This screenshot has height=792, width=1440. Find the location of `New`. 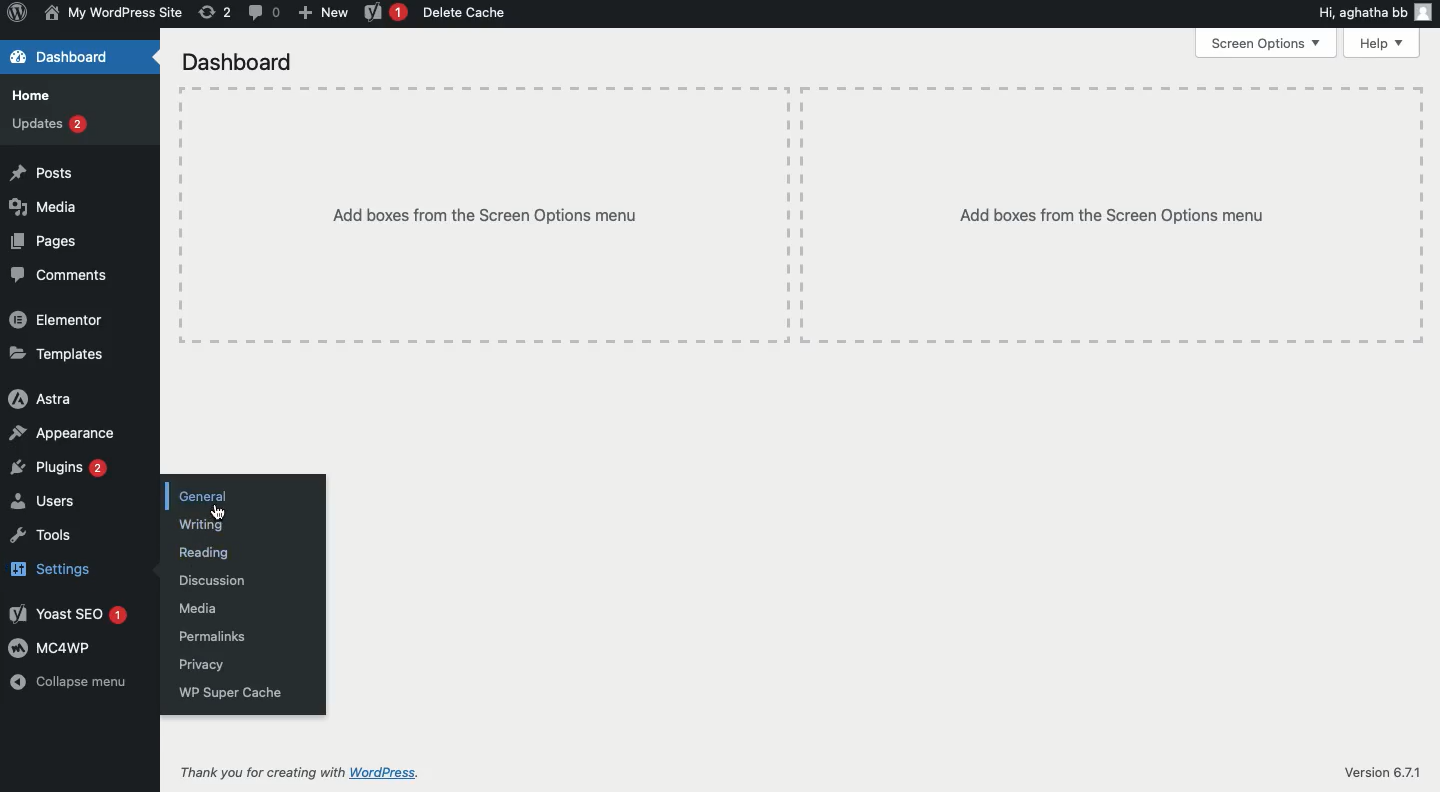

New is located at coordinates (323, 11).